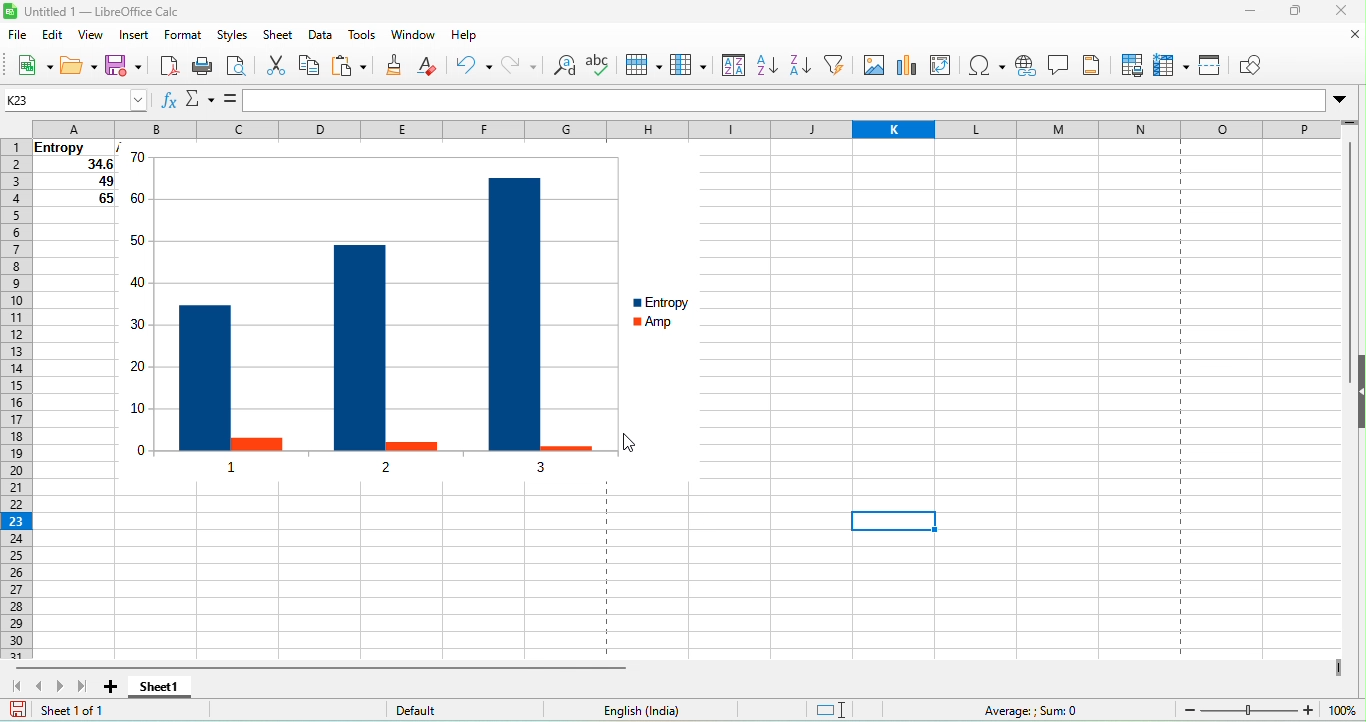 Image resolution: width=1366 pixels, height=722 pixels. What do you see at coordinates (564, 68) in the screenshot?
I see `find and replace` at bounding box center [564, 68].